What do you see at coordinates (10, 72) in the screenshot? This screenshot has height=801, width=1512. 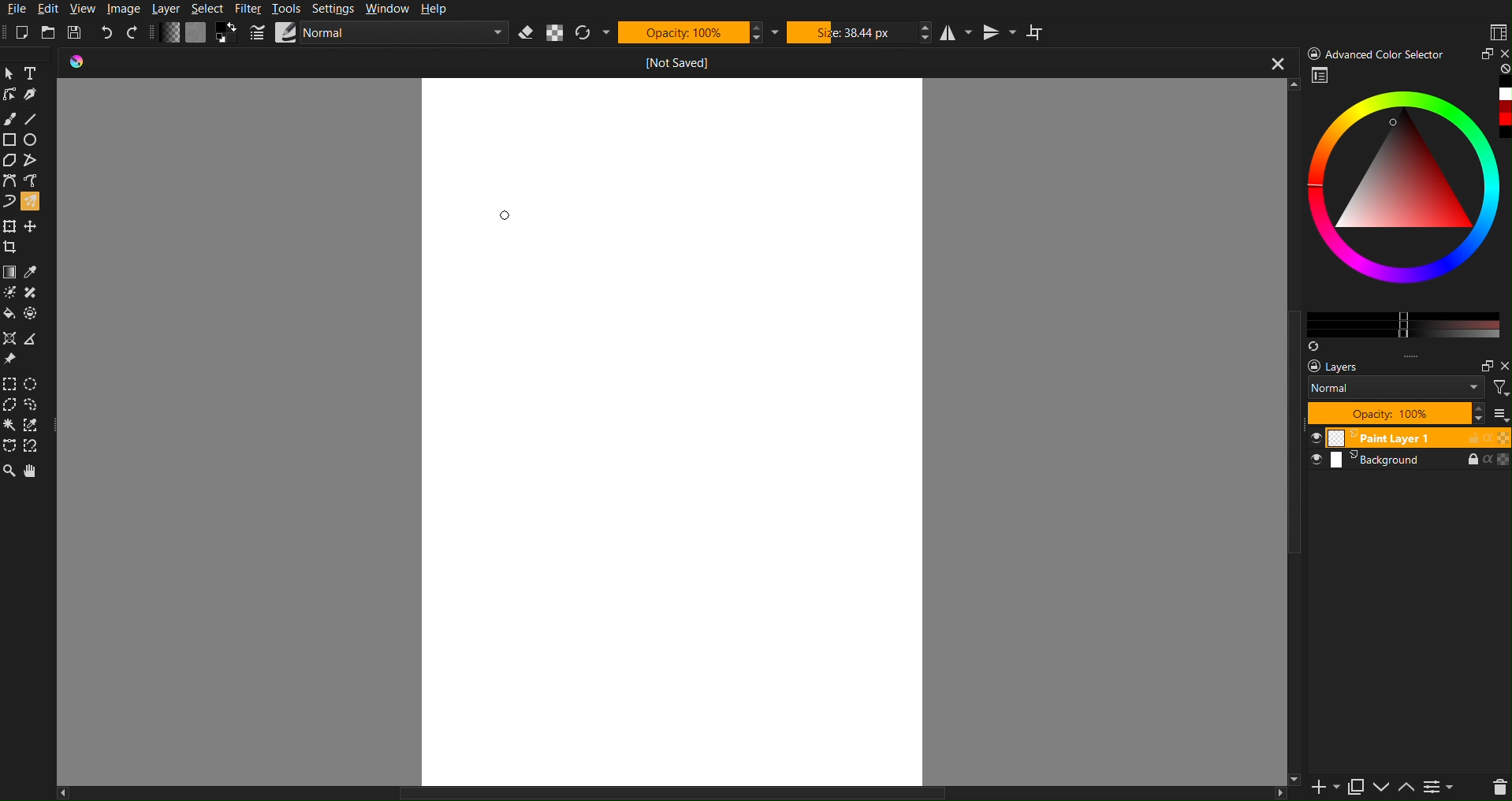 I see `Pointer` at bounding box center [10, 72].